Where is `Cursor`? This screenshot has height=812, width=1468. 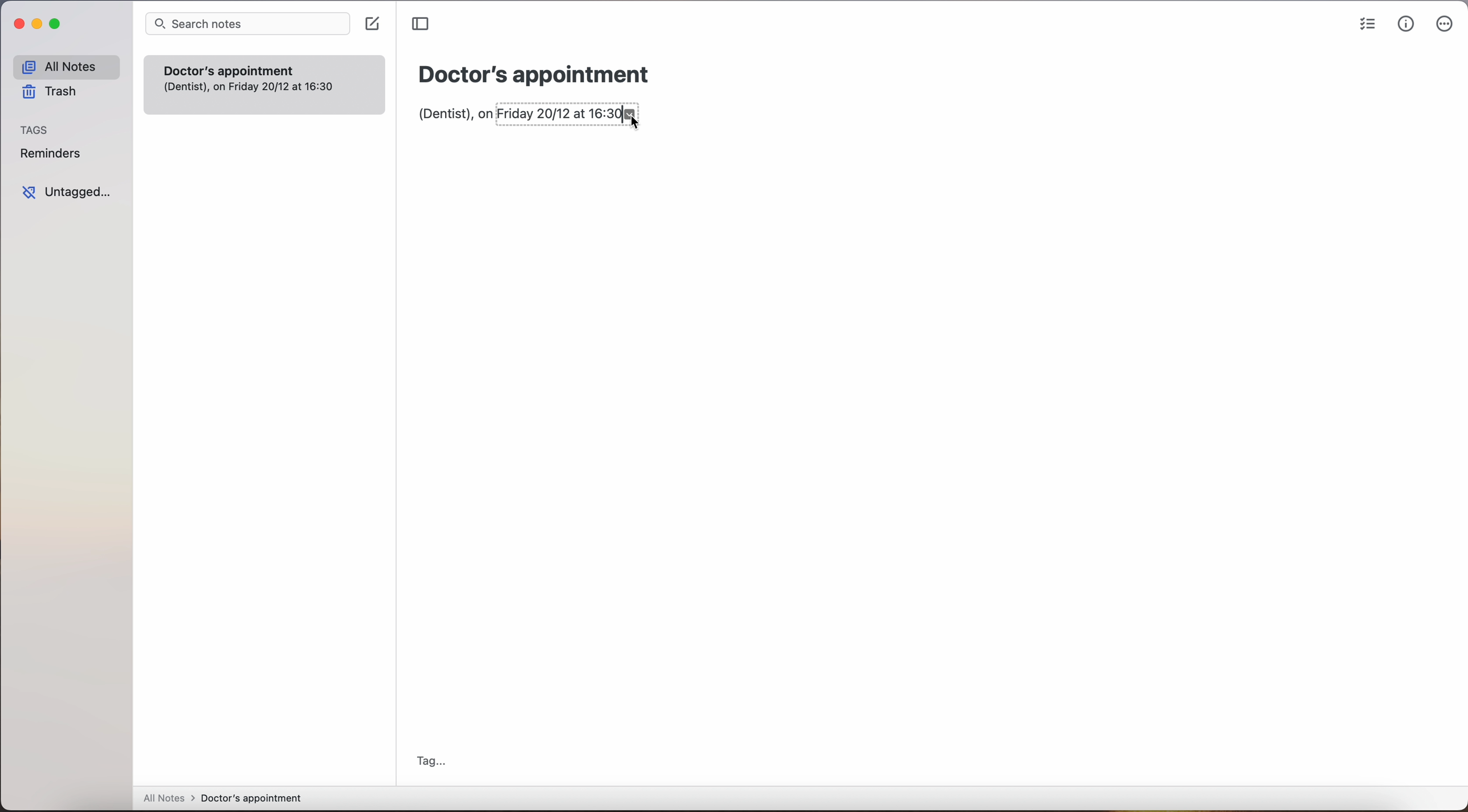 Cursor is located at coordinates (641, 130).